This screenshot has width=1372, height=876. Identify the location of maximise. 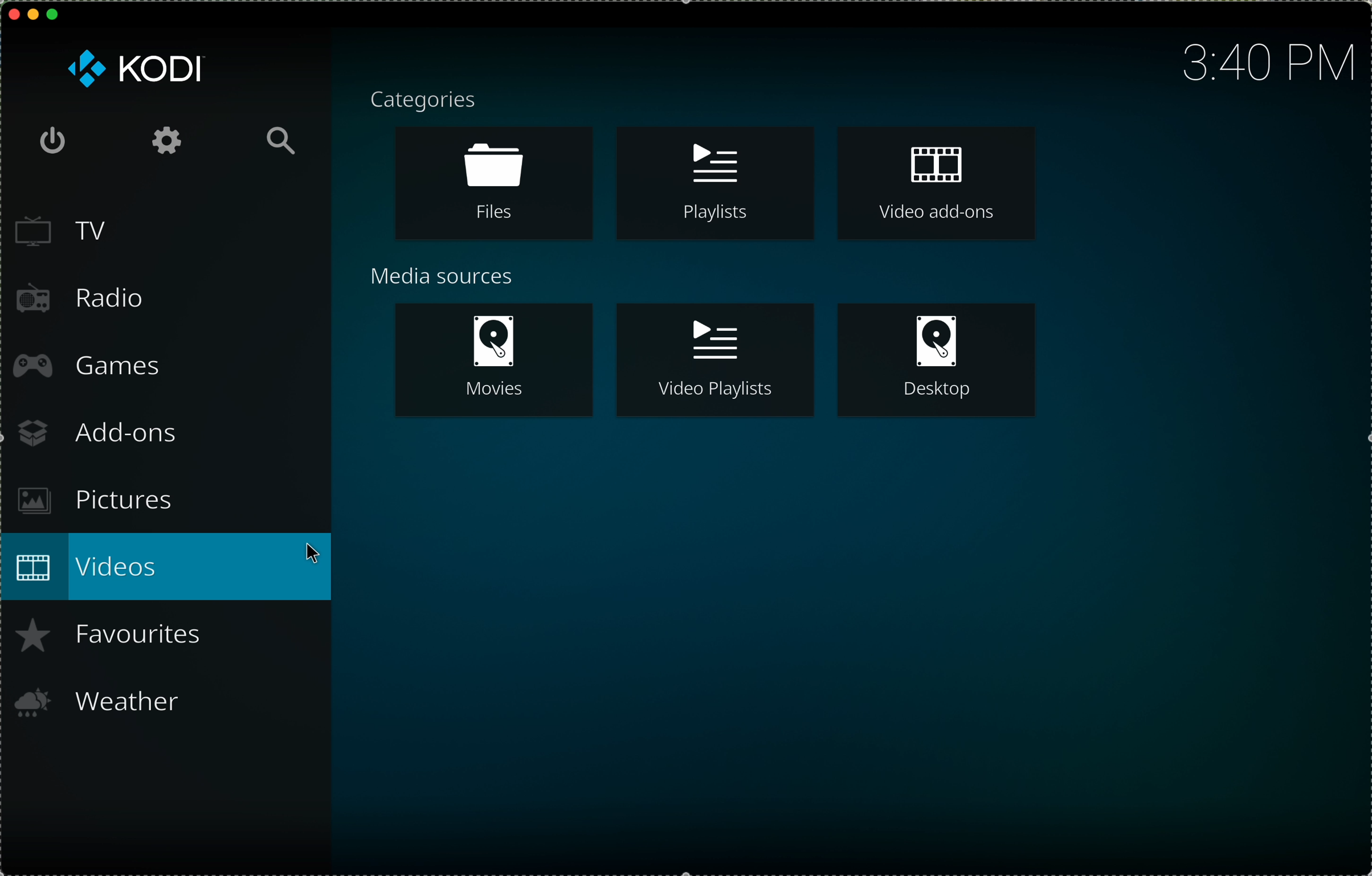
(54, 14).